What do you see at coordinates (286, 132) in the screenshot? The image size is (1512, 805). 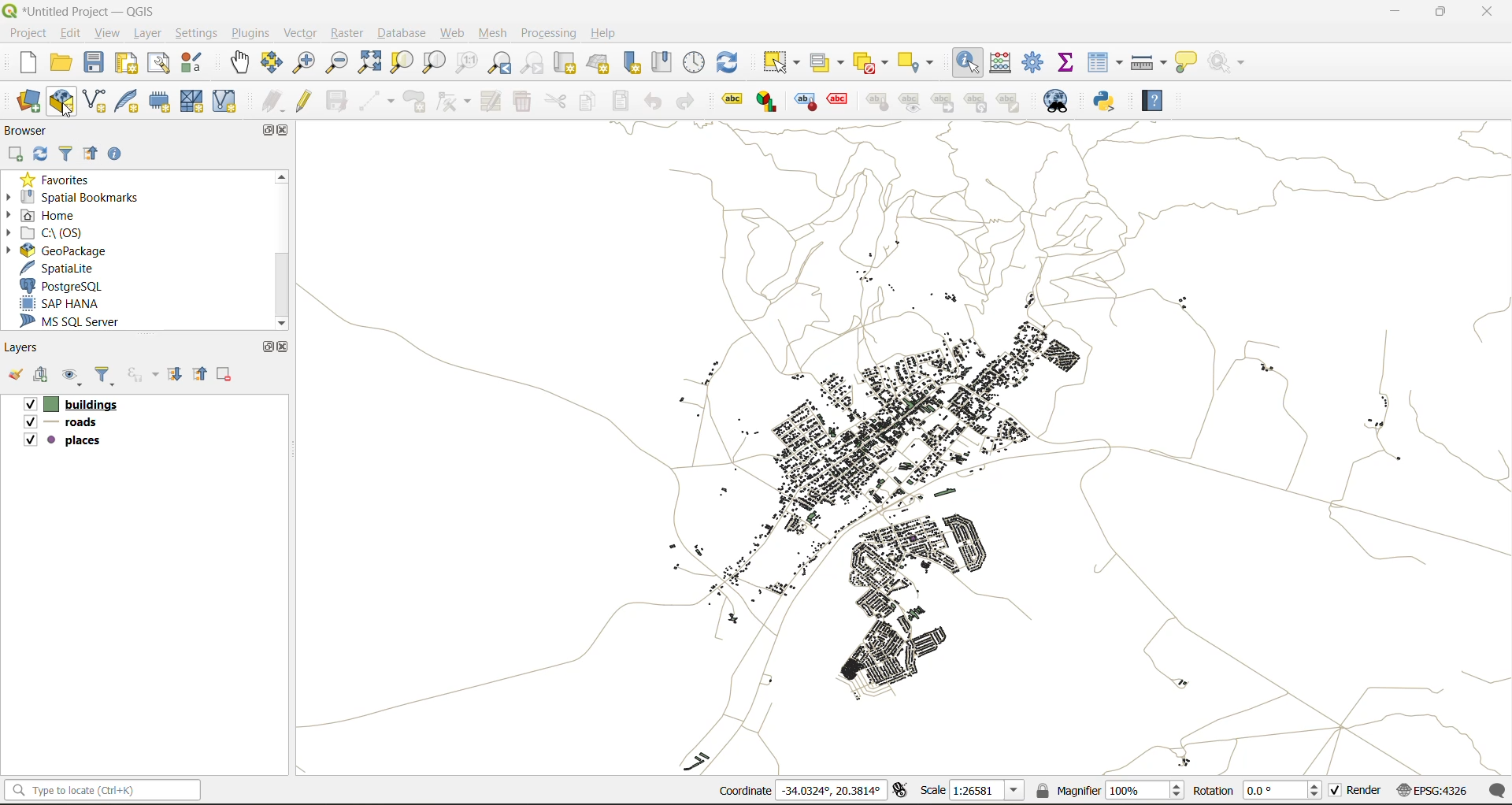 I see `close` at bounding box center [286, 132].